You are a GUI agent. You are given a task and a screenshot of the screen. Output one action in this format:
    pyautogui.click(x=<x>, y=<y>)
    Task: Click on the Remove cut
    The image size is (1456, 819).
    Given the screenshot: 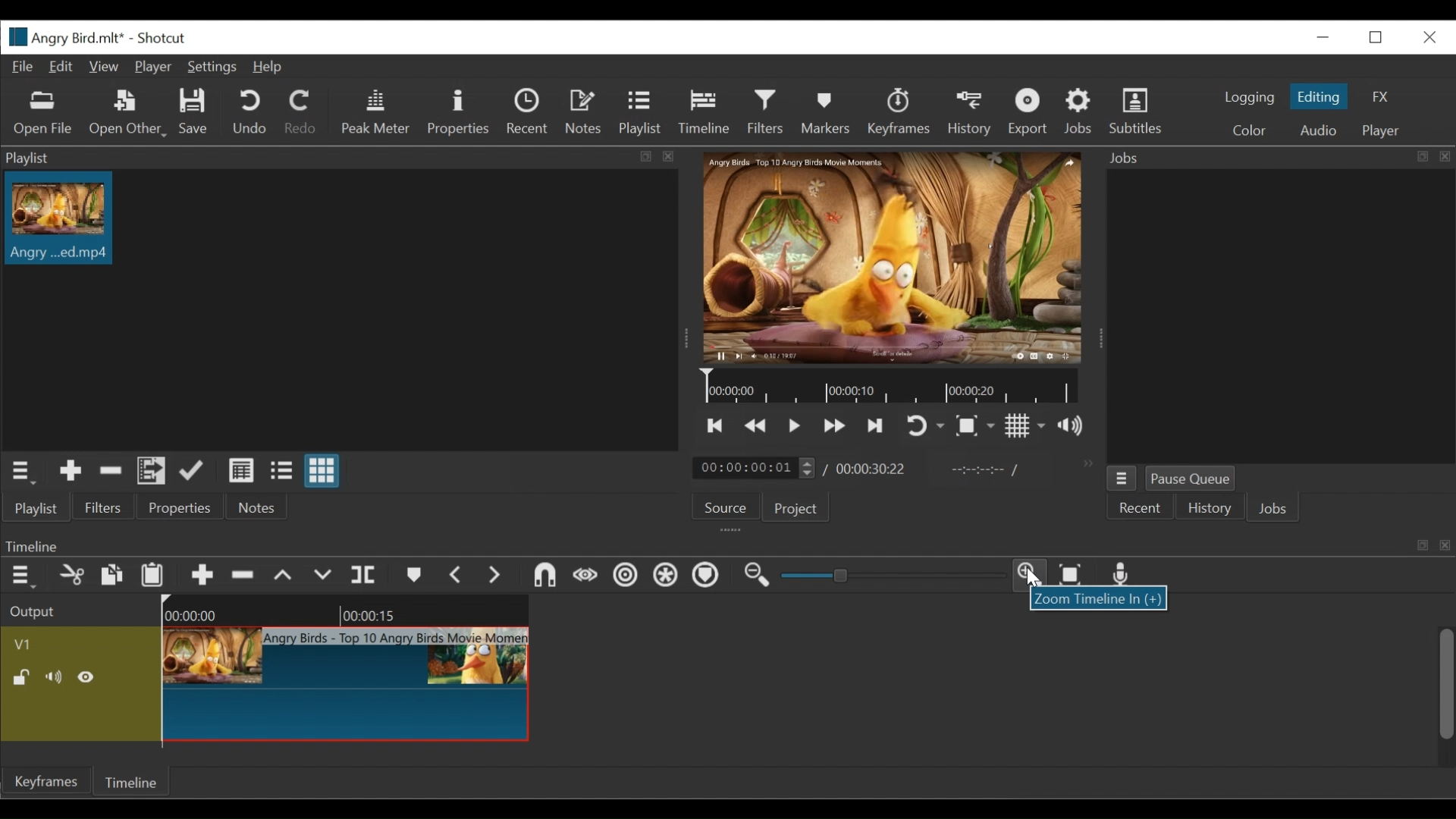 What is the action you would take?
    pyautogui.click(x=112, y=474)
    